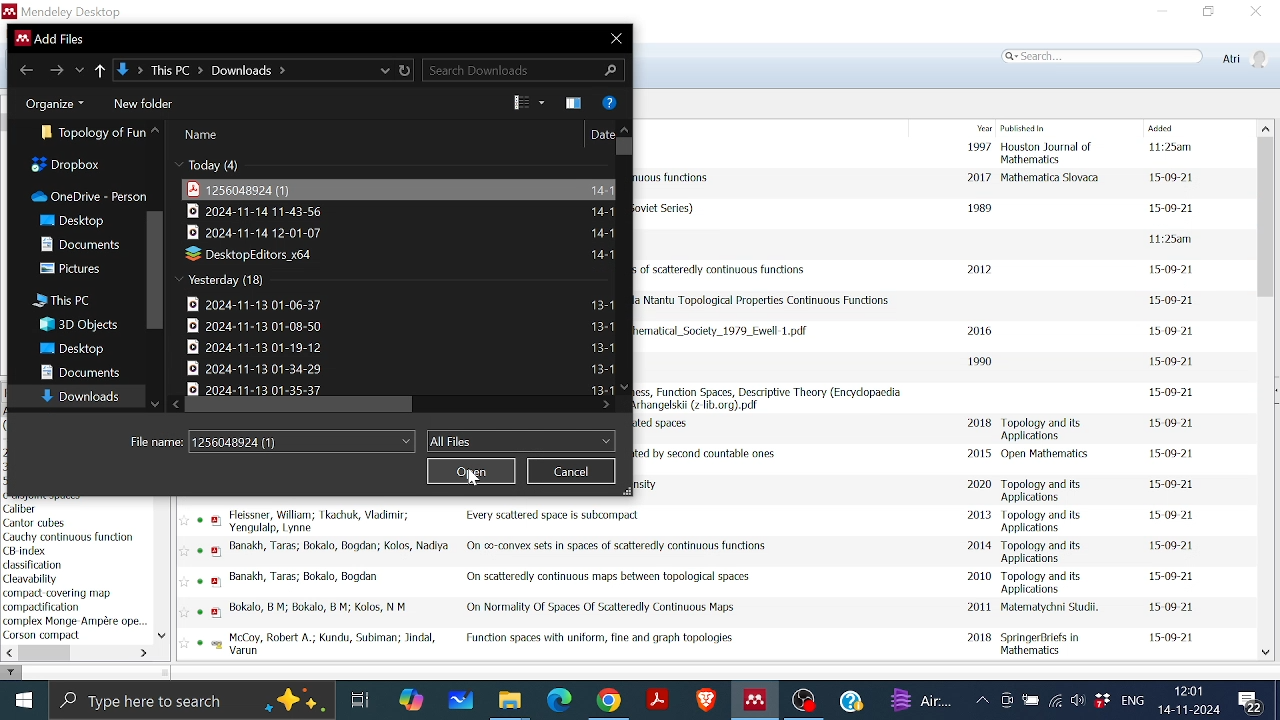 Image resolution: width=1280 pixels, height=720 pixels. Describe the element at coordinates (1052, 522) in the screenshot. I see `Published in` at that location.